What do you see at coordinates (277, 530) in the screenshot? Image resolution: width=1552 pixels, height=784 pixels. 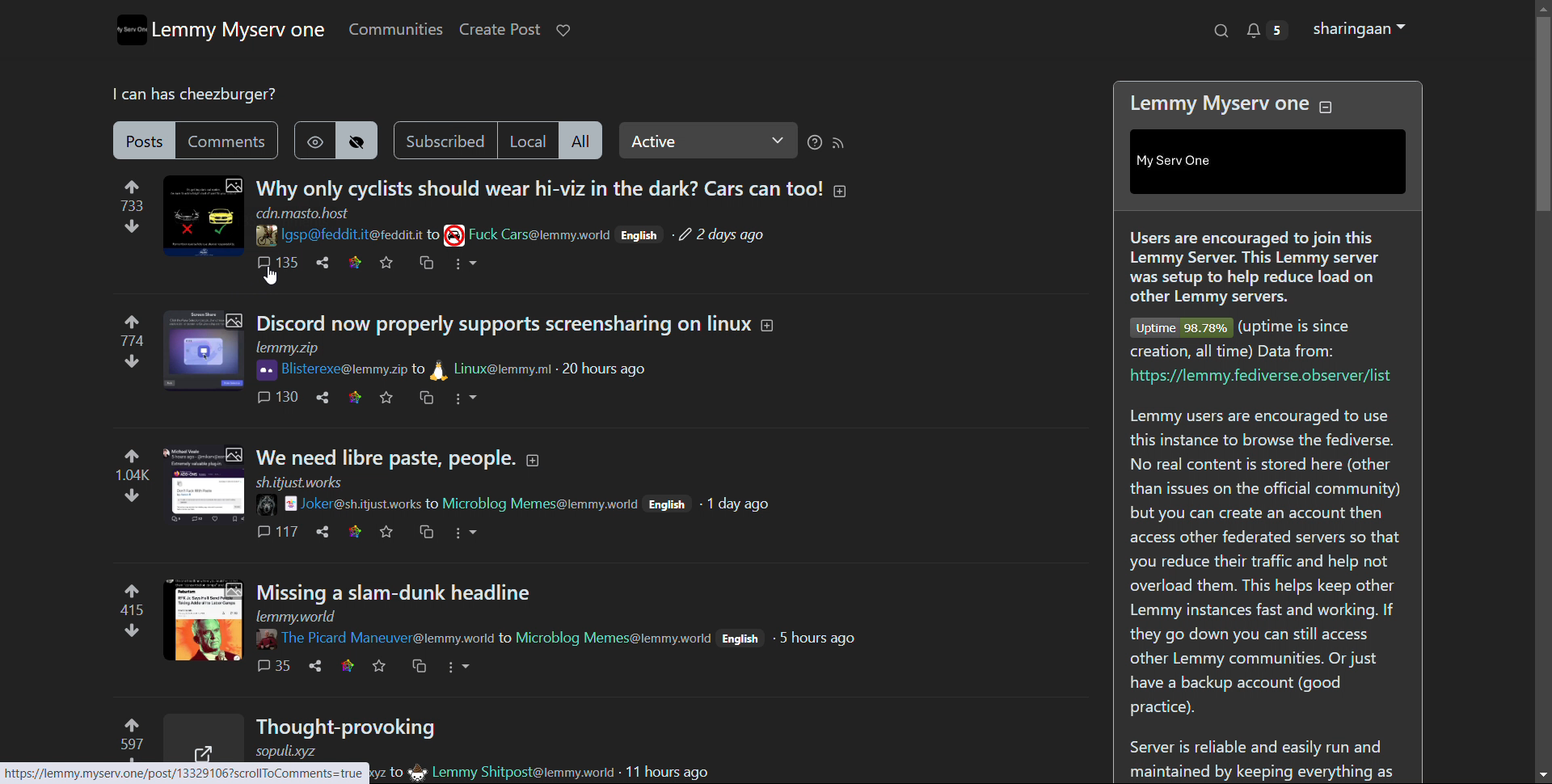 I see `comments` at bounding box center [277, 530].